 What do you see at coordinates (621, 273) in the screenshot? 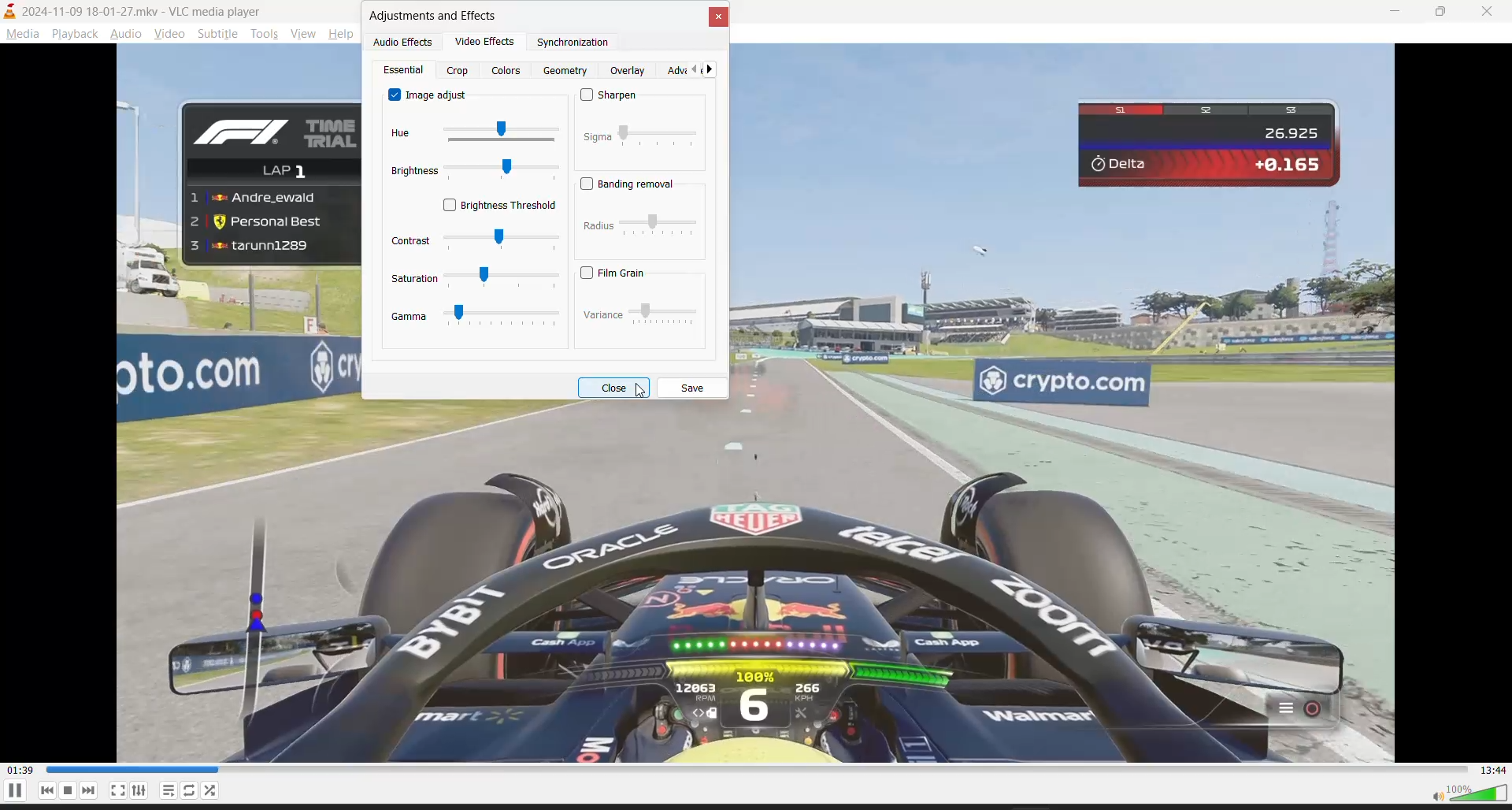
I see `film grain` at bounding box center [621, 273].